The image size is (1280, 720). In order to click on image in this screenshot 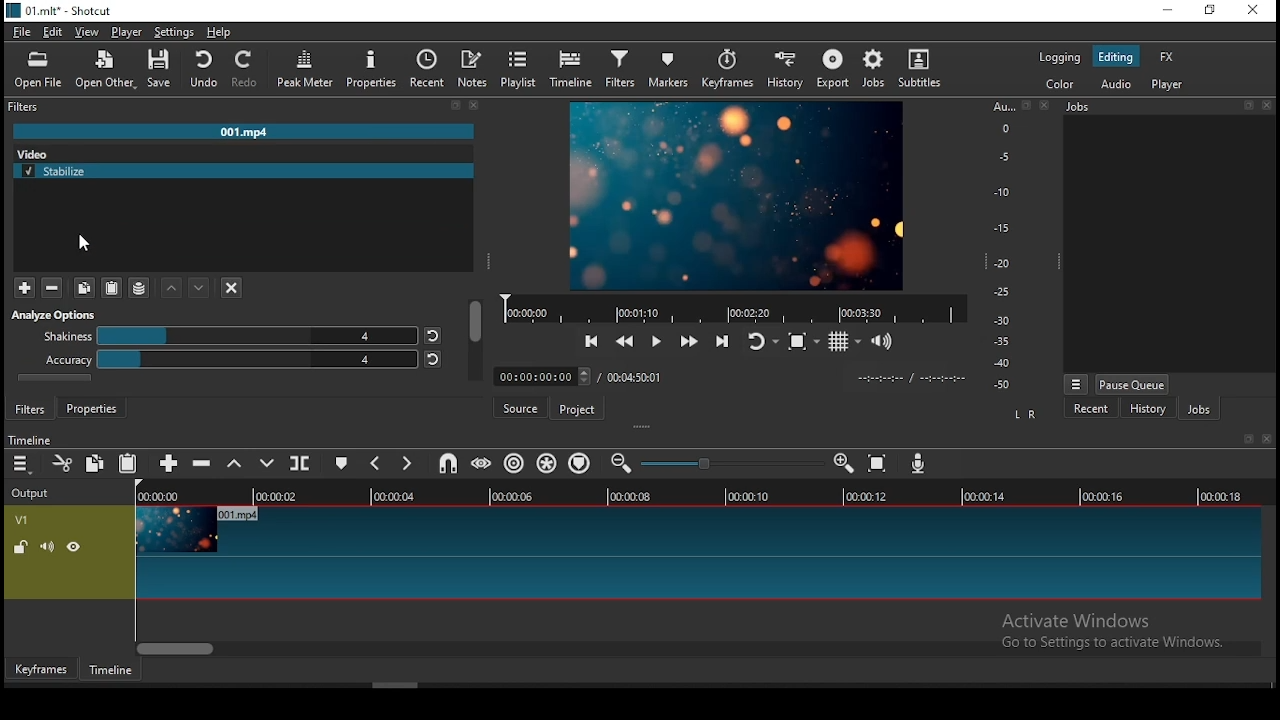, I will do `click(738, 191)`.